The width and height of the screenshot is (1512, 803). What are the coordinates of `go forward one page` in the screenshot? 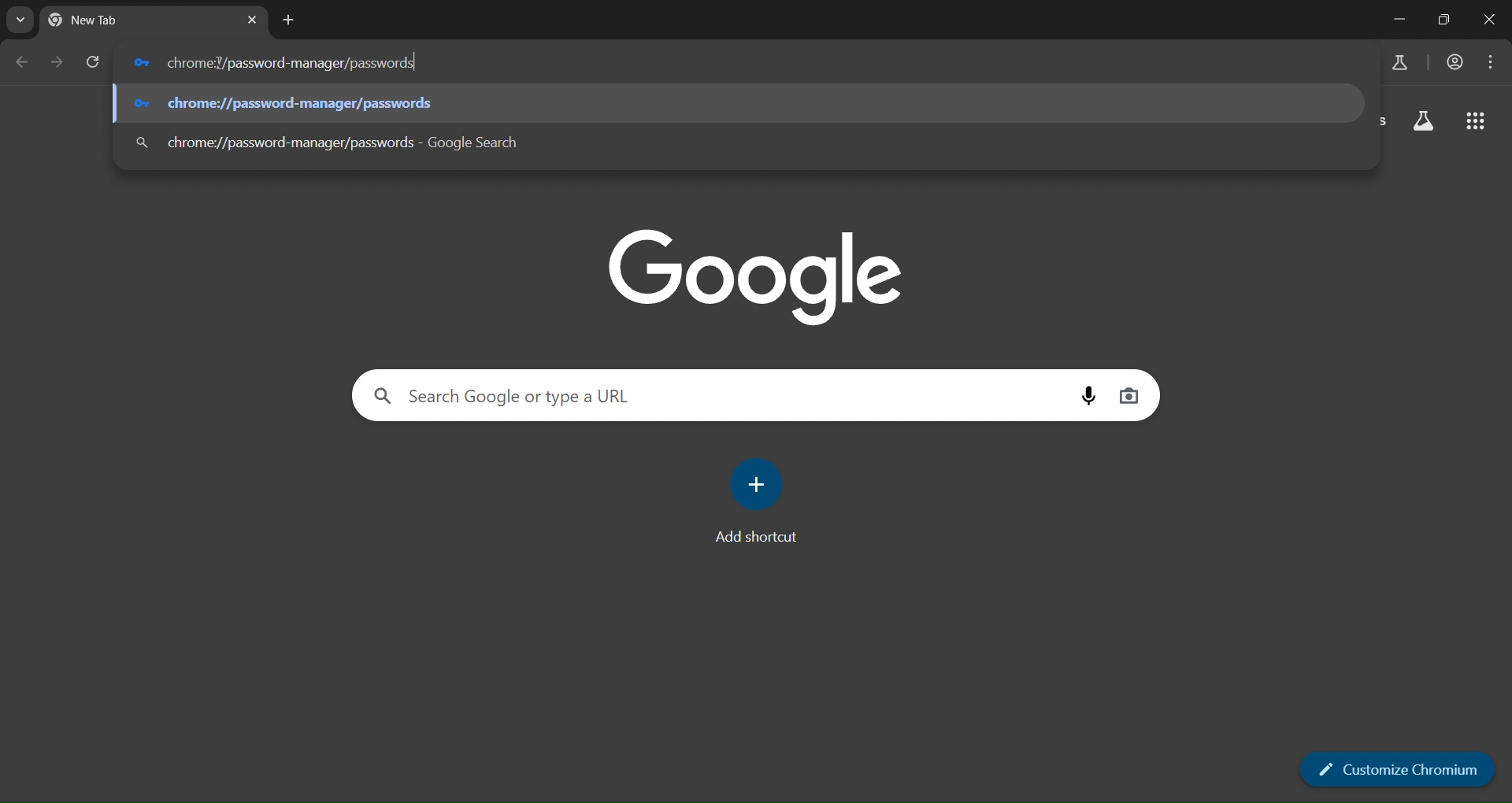 It's located at (59, 61).